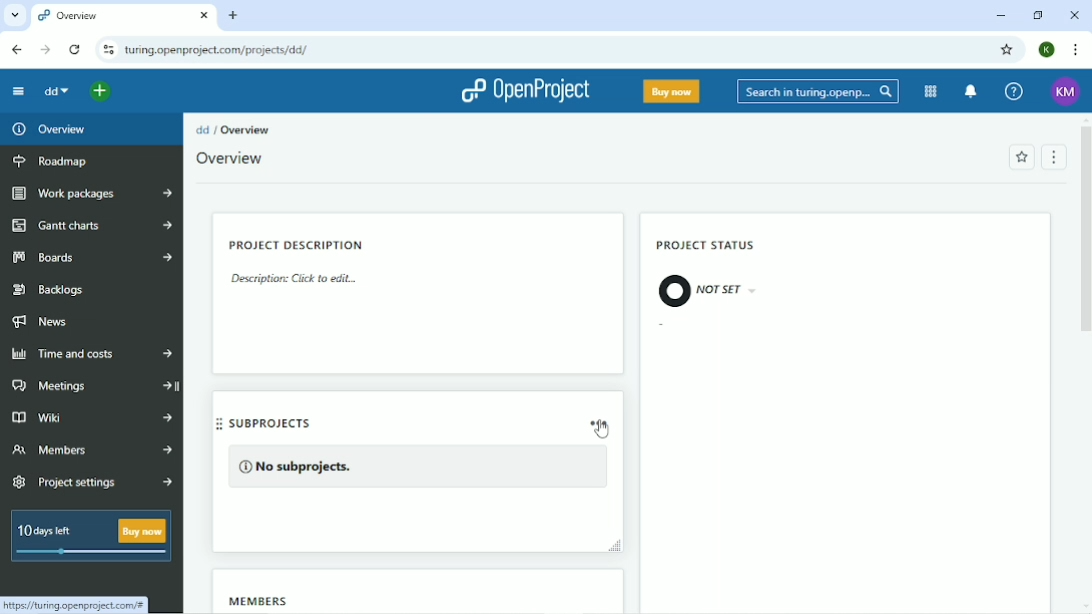 The height and width of the screenshot is (614, 1092). Describe the element at coordinates (418, 468) in the screenshot. I see `No subprojects` at that location.